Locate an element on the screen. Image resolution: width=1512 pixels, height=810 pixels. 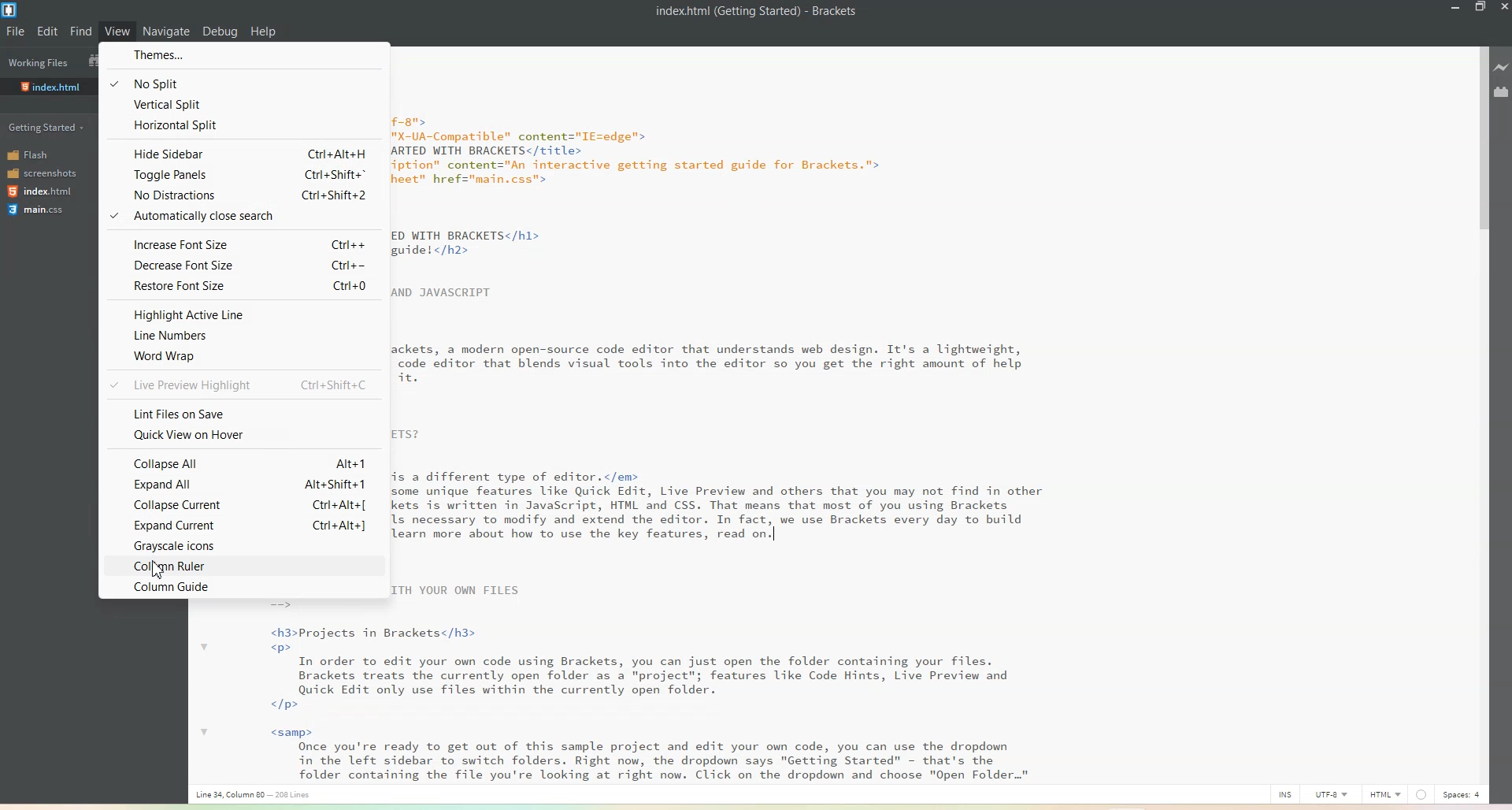
Line Number is located at coordinates (243, 335).